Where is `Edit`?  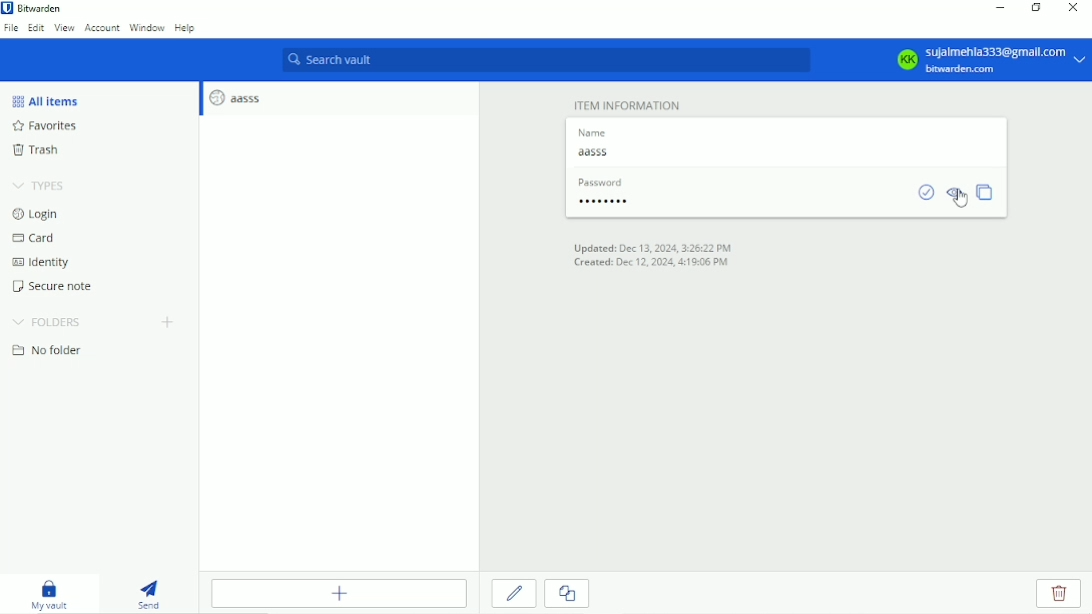 Edit is located at coordinates (514, 592).